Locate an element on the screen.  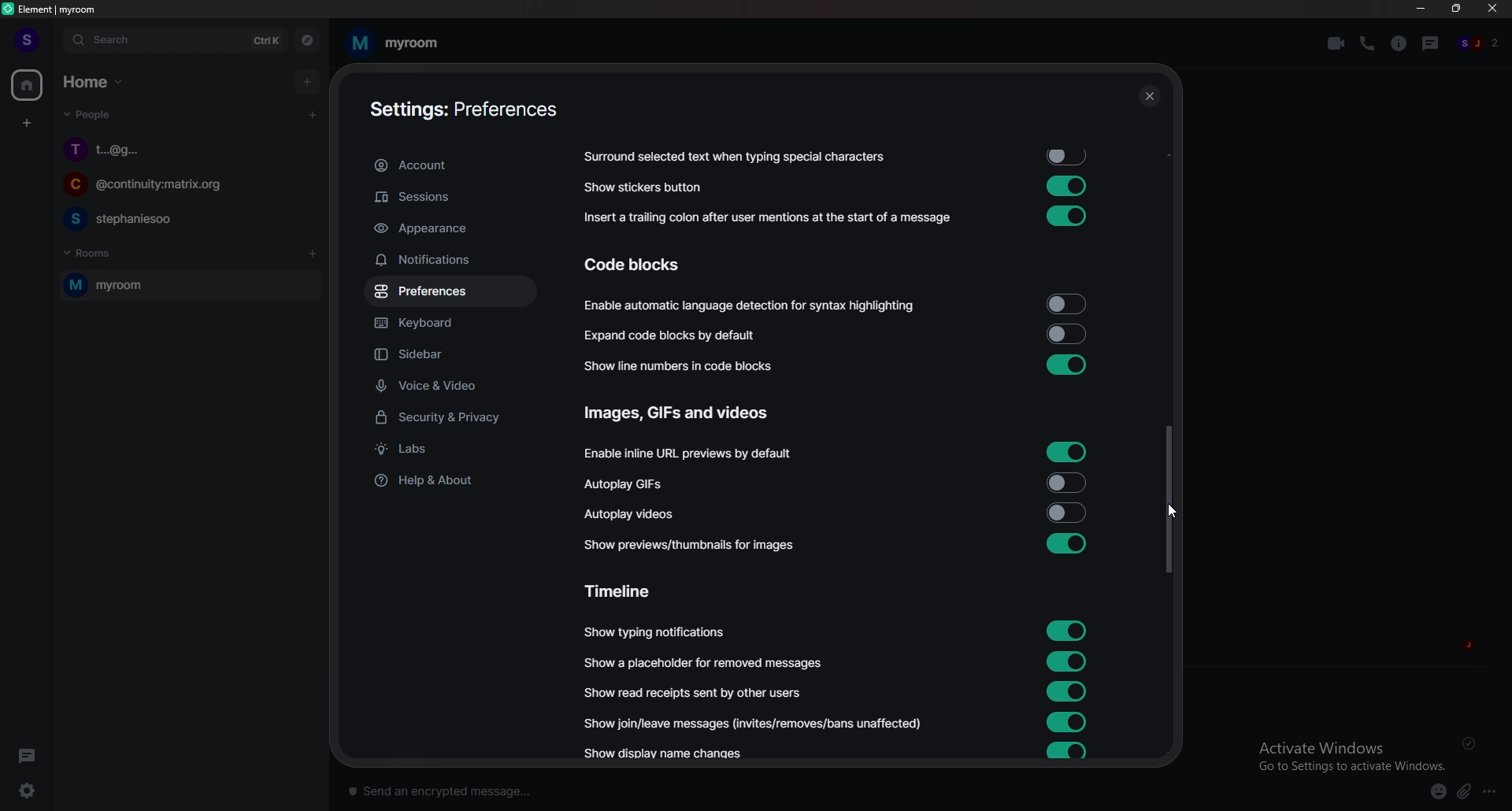
toggle is located at coordinates (1068, 481).